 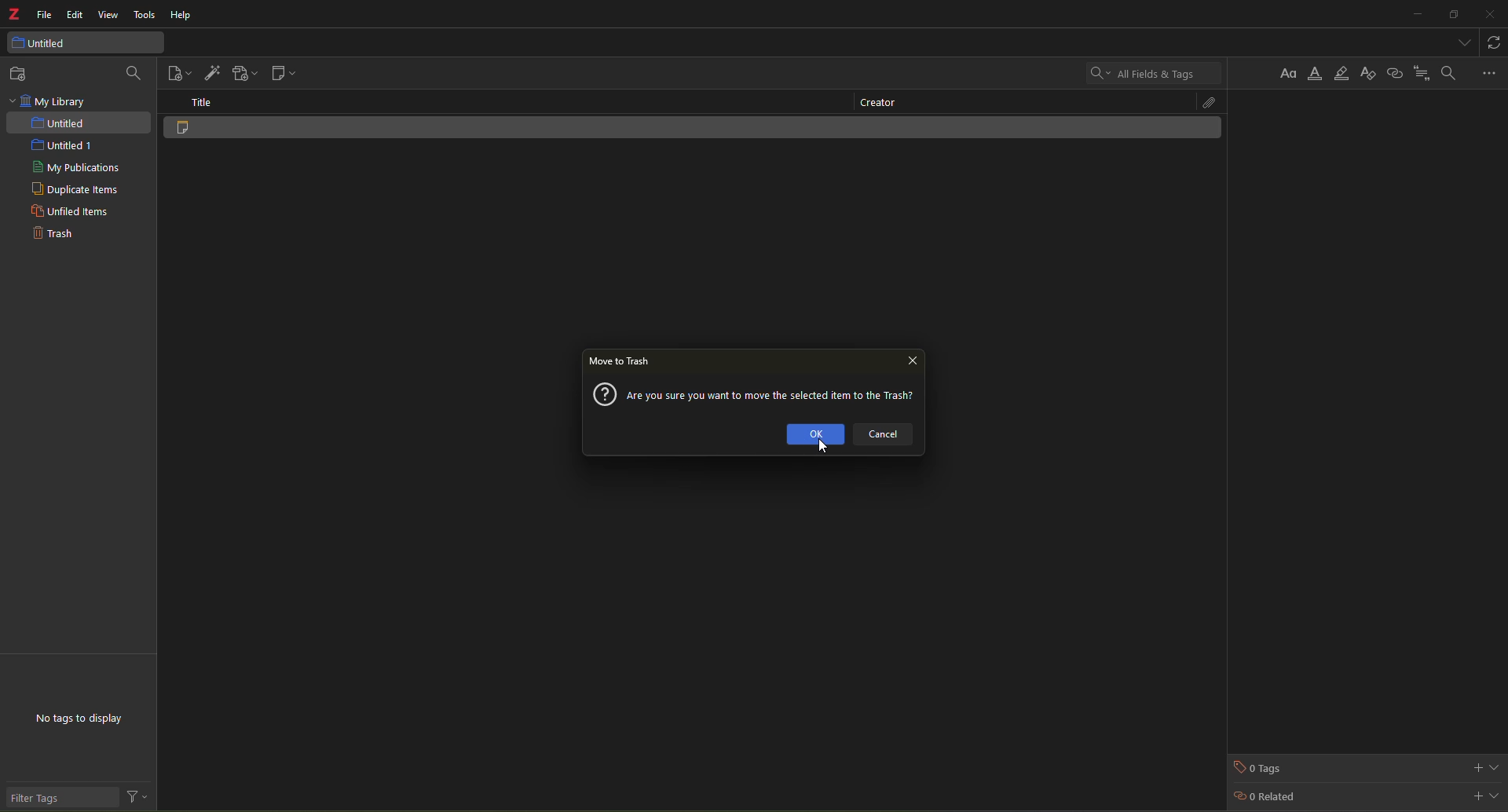 What do you see at coordinates (41, 798) in the screenshot?
I see `filter tags` at bounding box center [41, 798].